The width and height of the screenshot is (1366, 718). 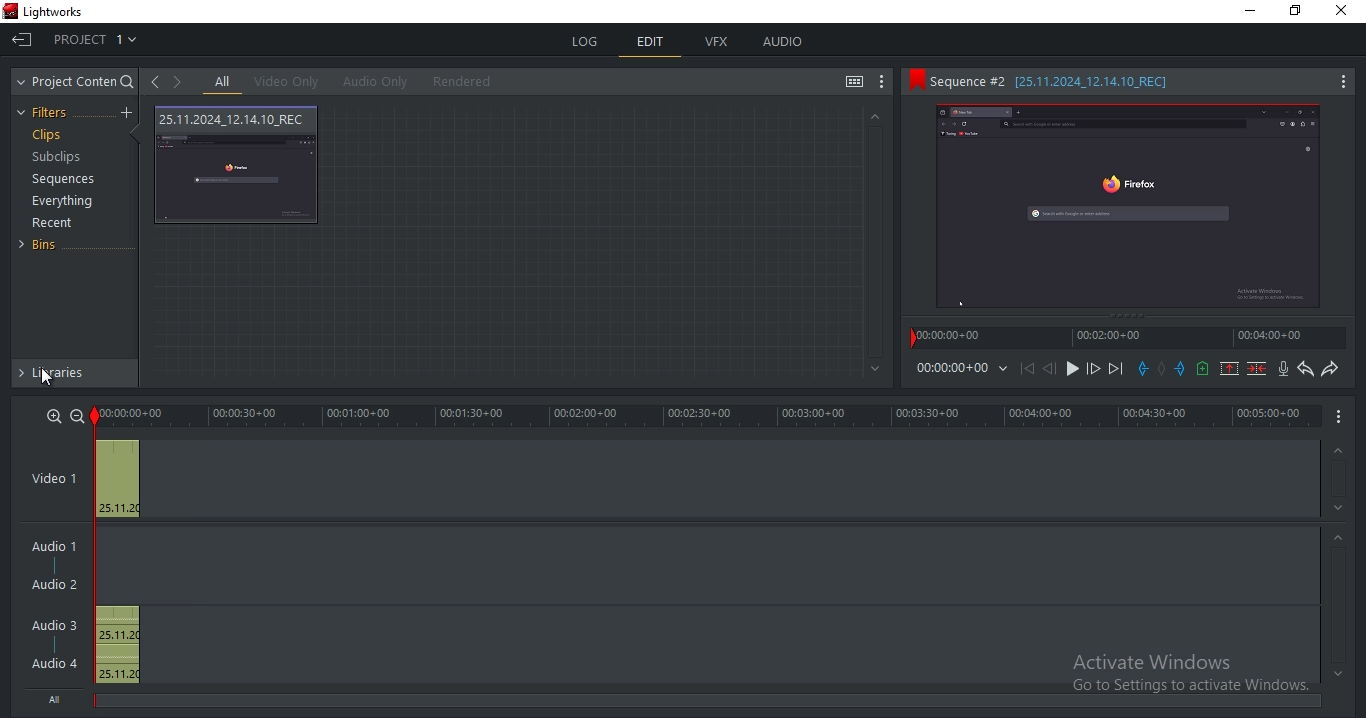 What do you see at coordinates (1142, 369) in the screenshot?
I see `add an in mark` at bounding box center [1142, 369].